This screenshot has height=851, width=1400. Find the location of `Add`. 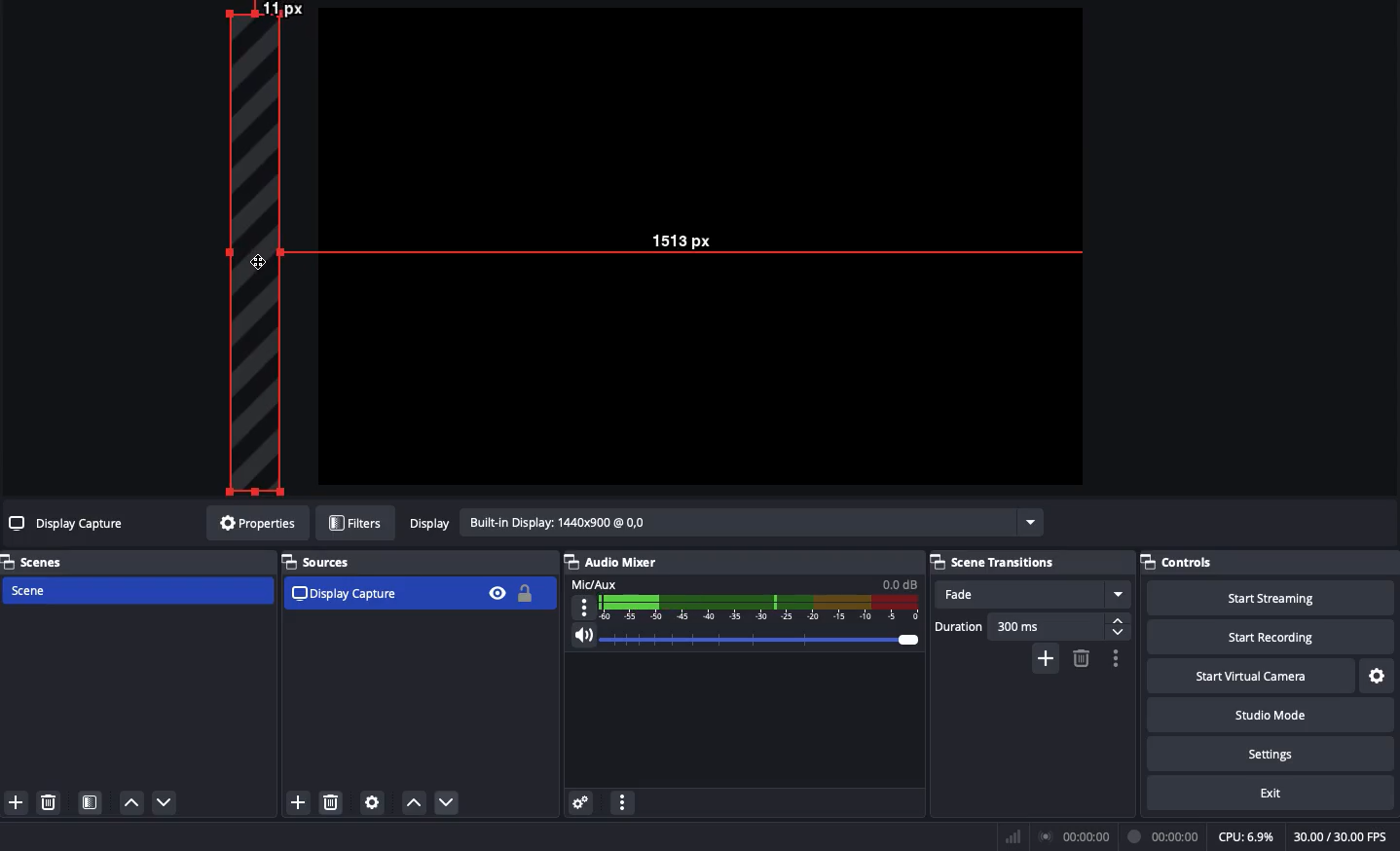

Add is located at coordinates (15, 803).